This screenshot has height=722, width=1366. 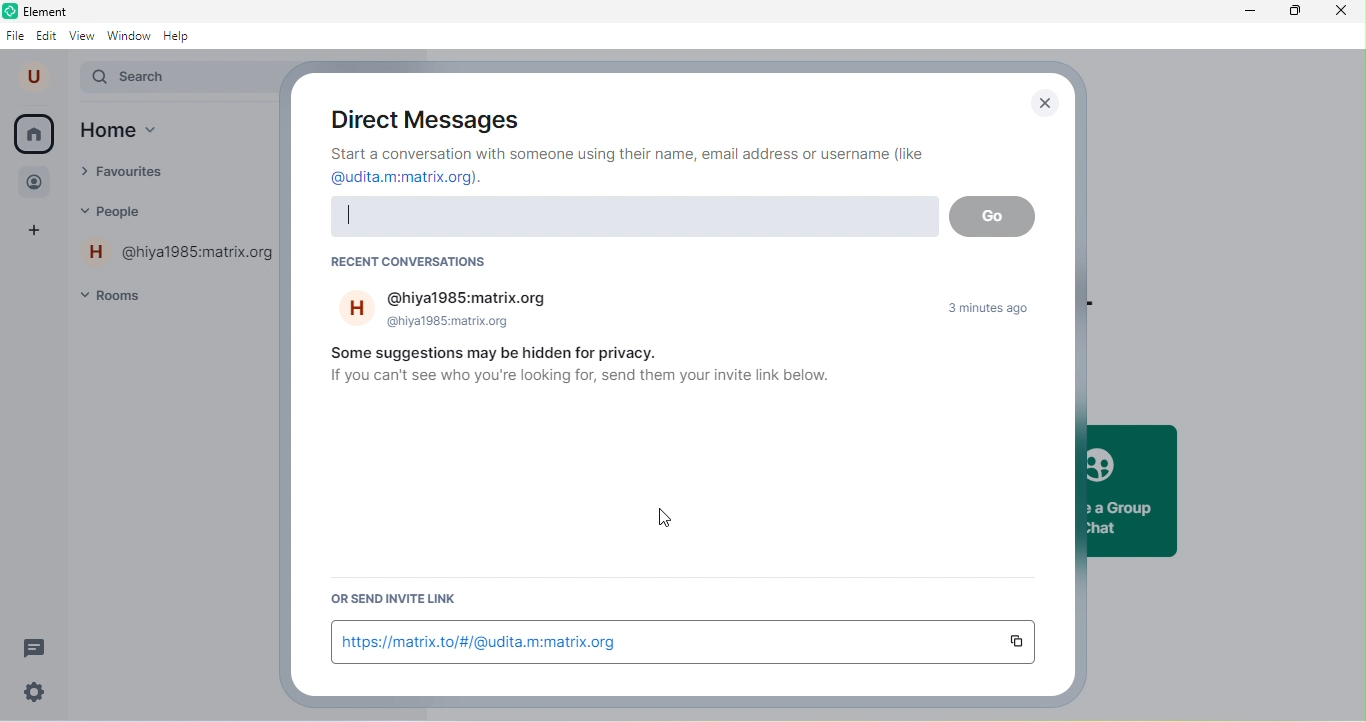 What do you see at coordinates (1022, 642) in the screenshot?
I see `copy` at bounding box center [1022, 642].